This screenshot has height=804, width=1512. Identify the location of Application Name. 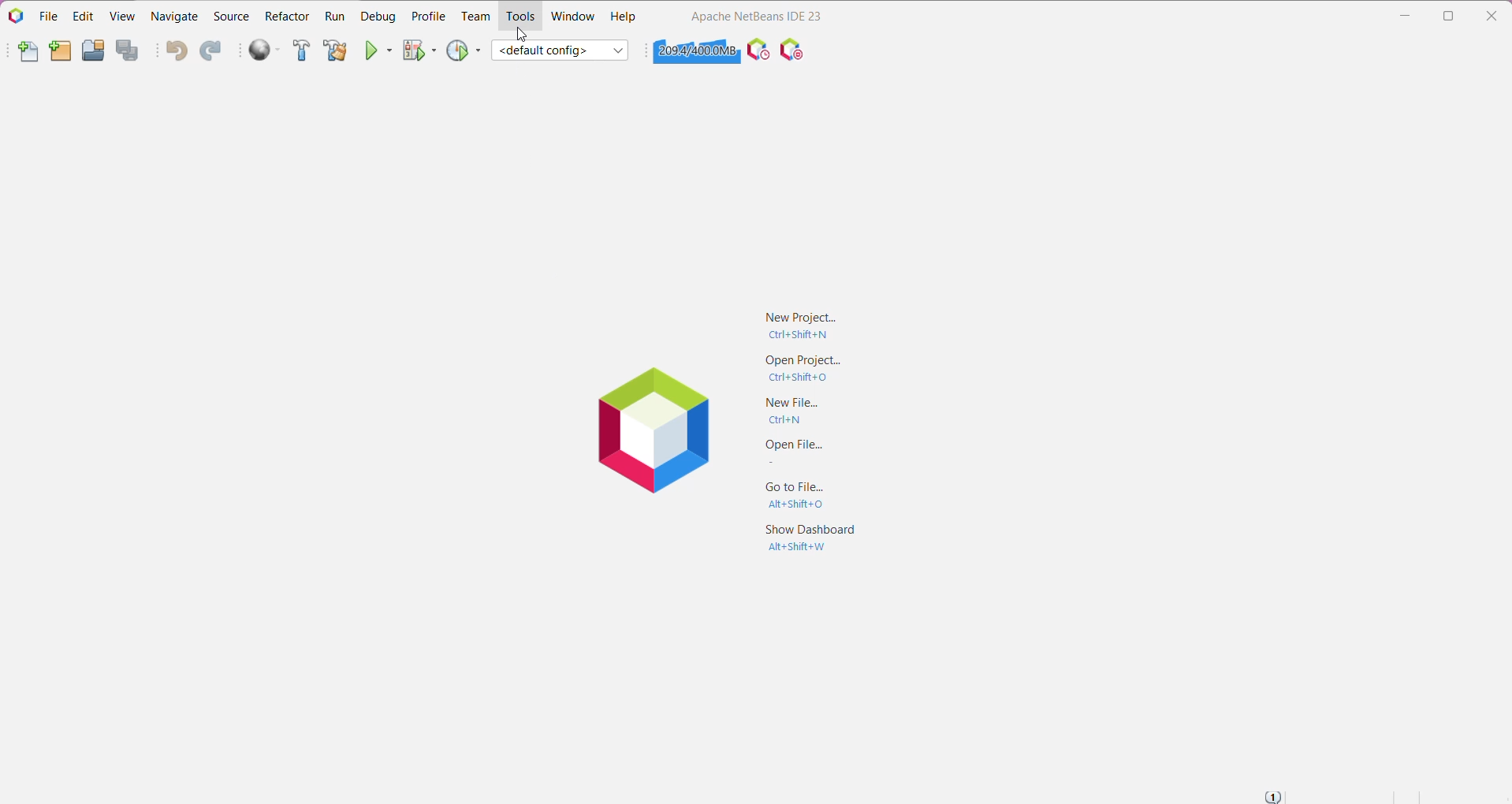
(756, 16).